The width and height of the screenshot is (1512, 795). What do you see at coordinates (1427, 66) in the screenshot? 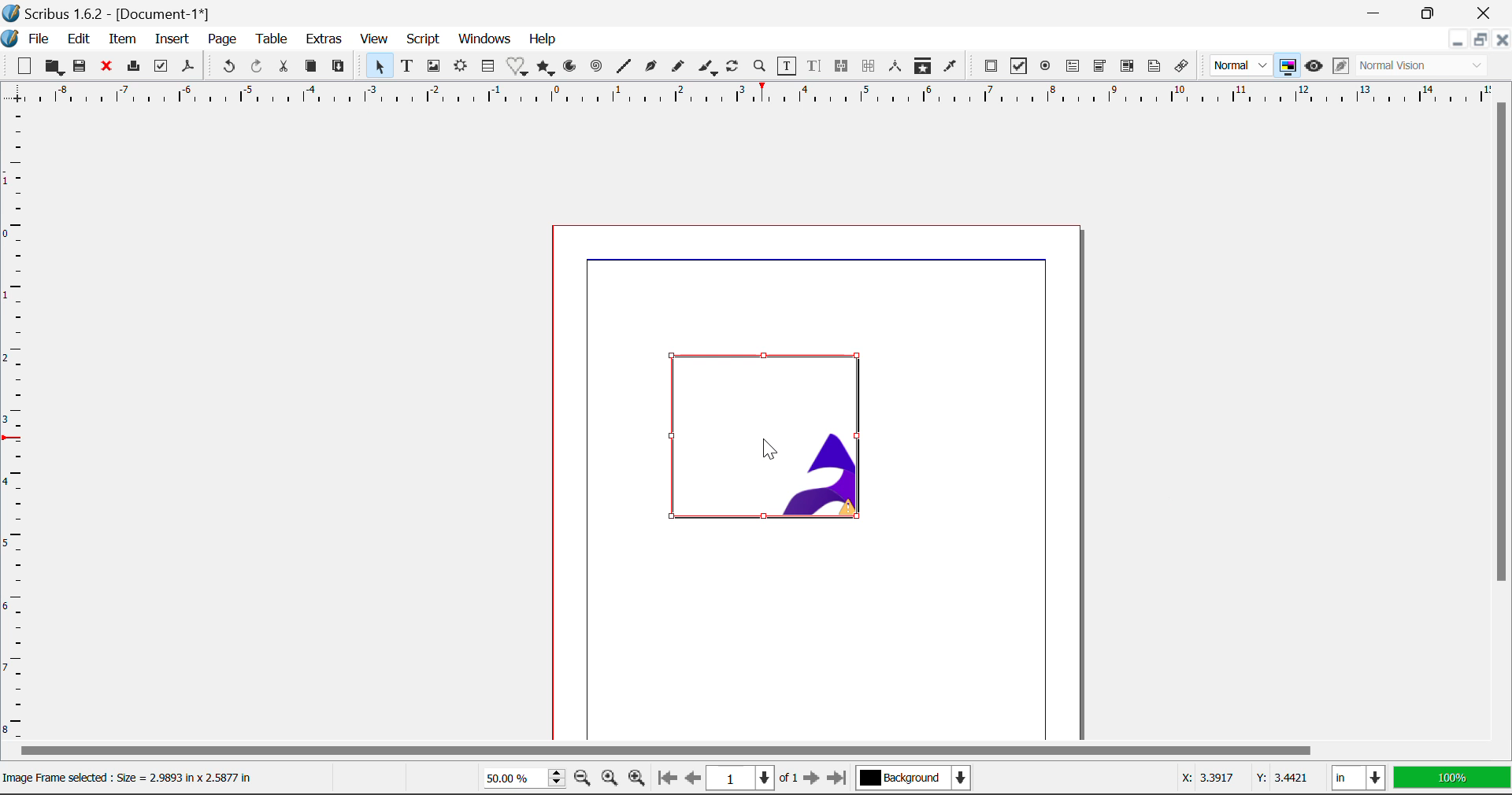
I see `Display Appearance` at bounding box center [1427, 66].